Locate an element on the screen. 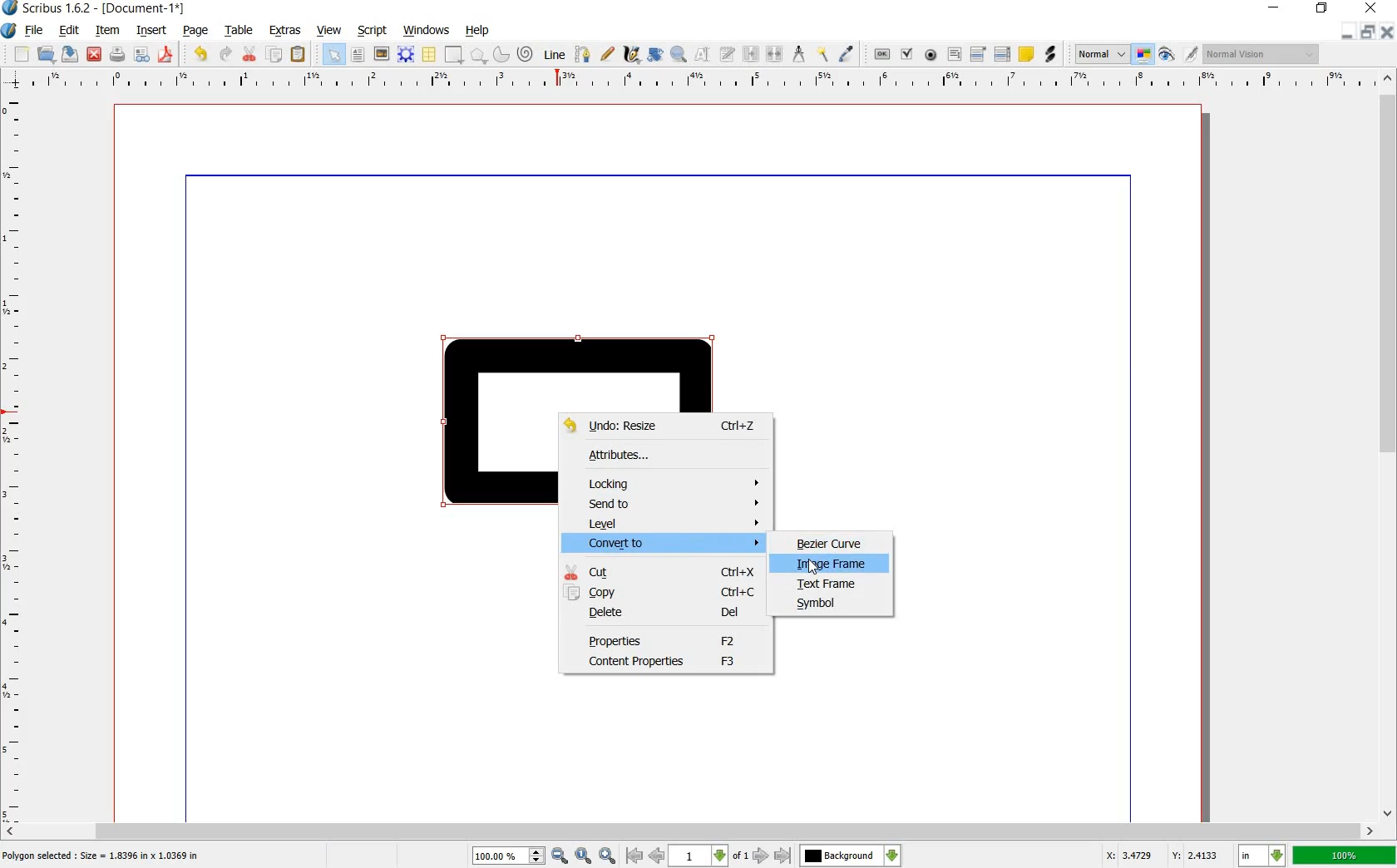  edit in preview mode is located at coordinates (1177, 55).